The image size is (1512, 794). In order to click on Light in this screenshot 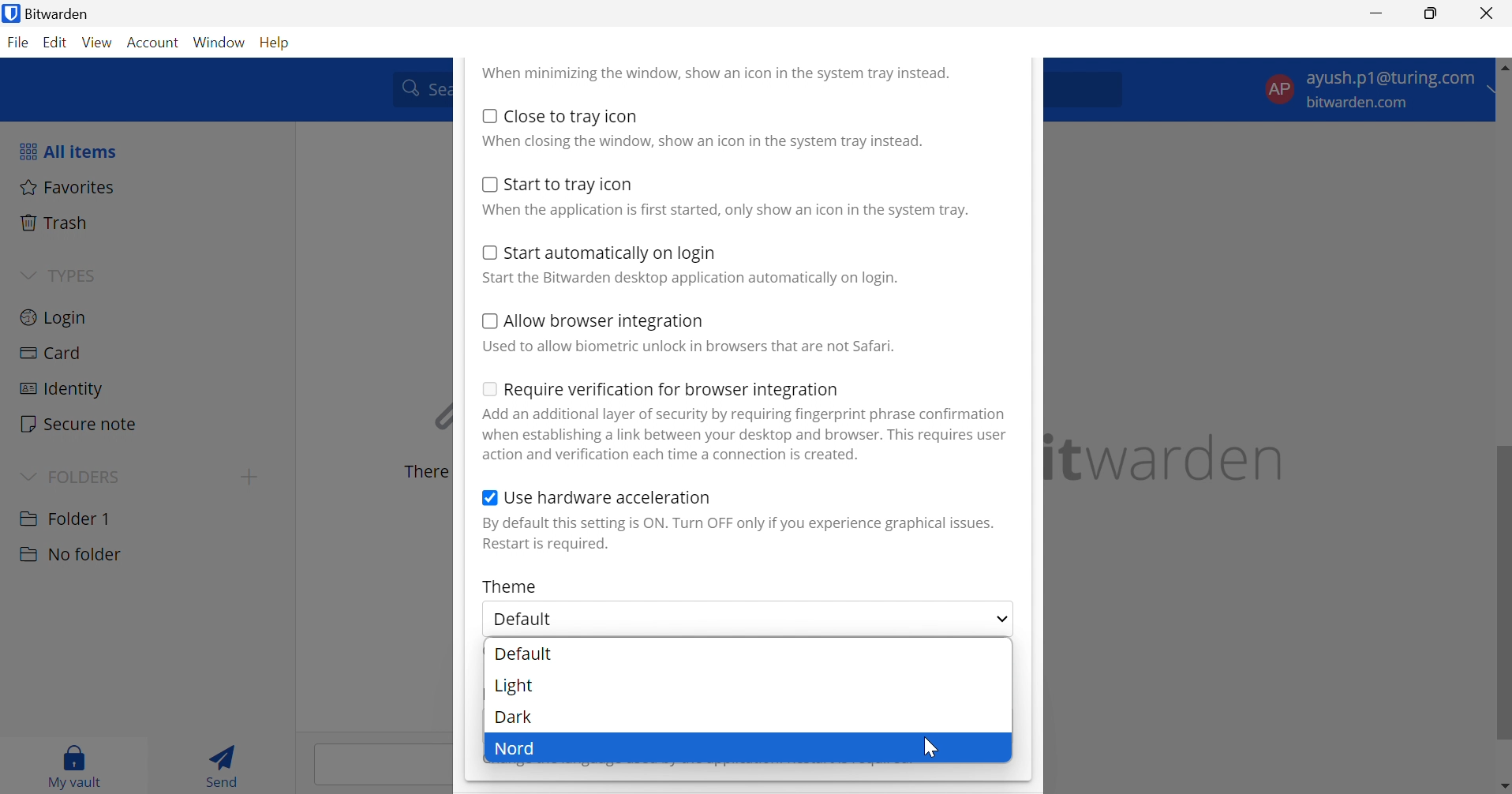, I will do `click(516, 686)`.